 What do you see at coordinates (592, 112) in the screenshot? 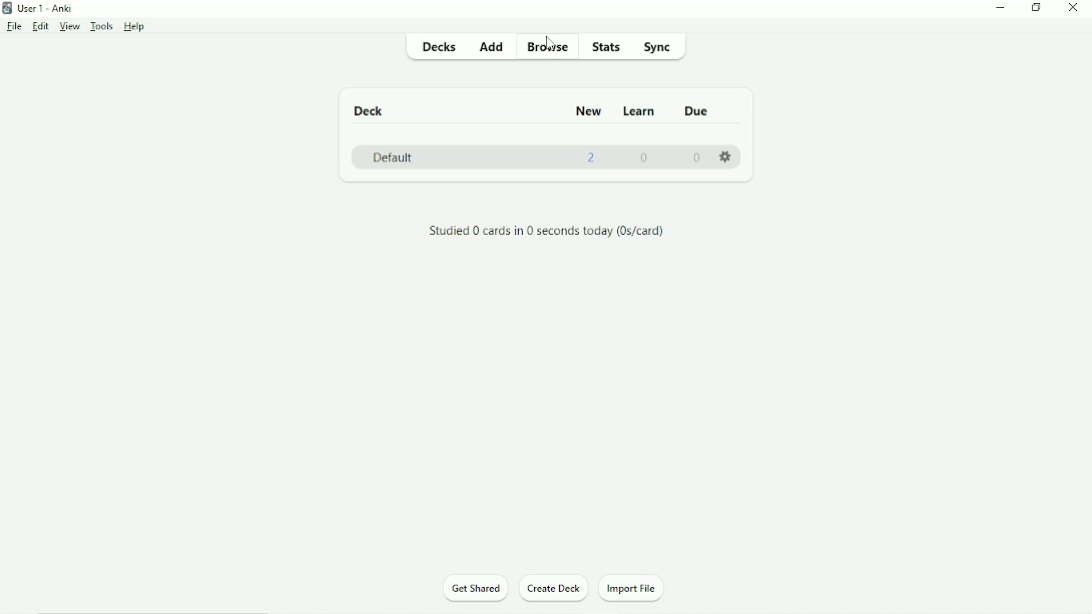
I see `New` at bounding box center [592, 112].